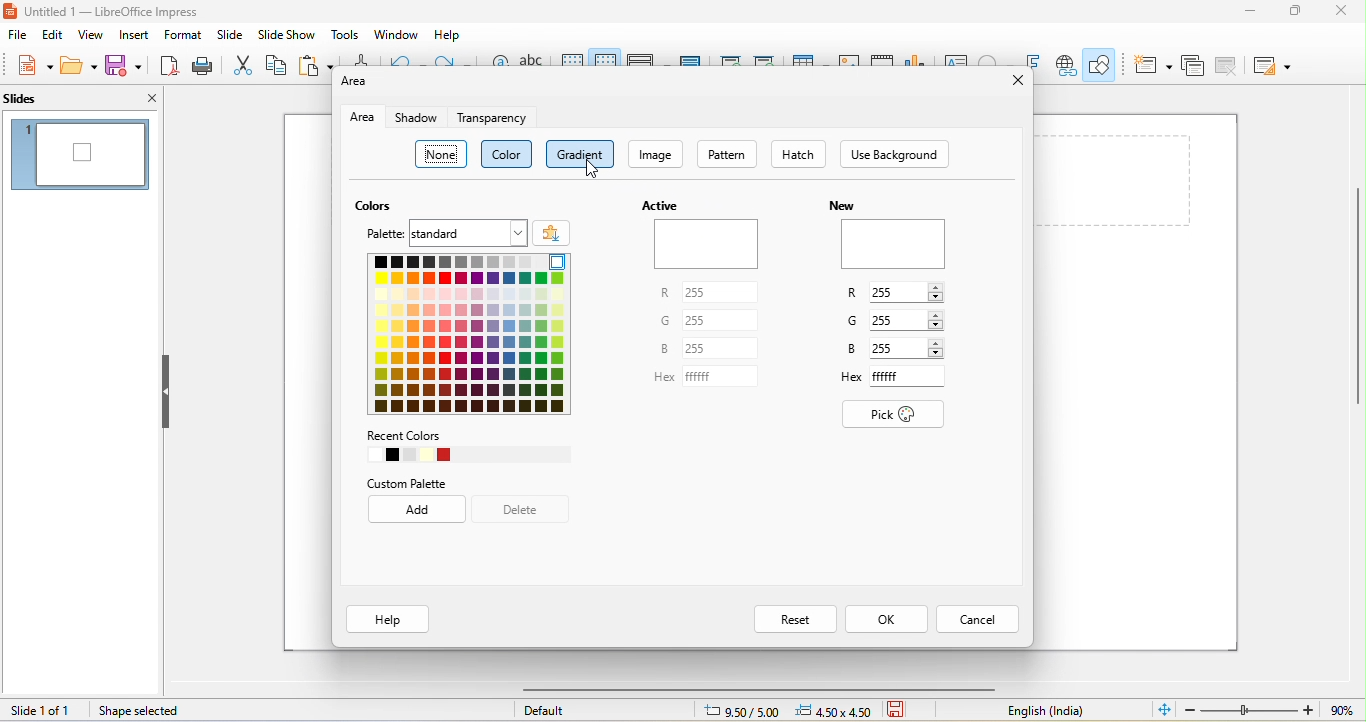 The width and height of the screenshot is (1366, 722). I want to click on close, so click(1016, 81).